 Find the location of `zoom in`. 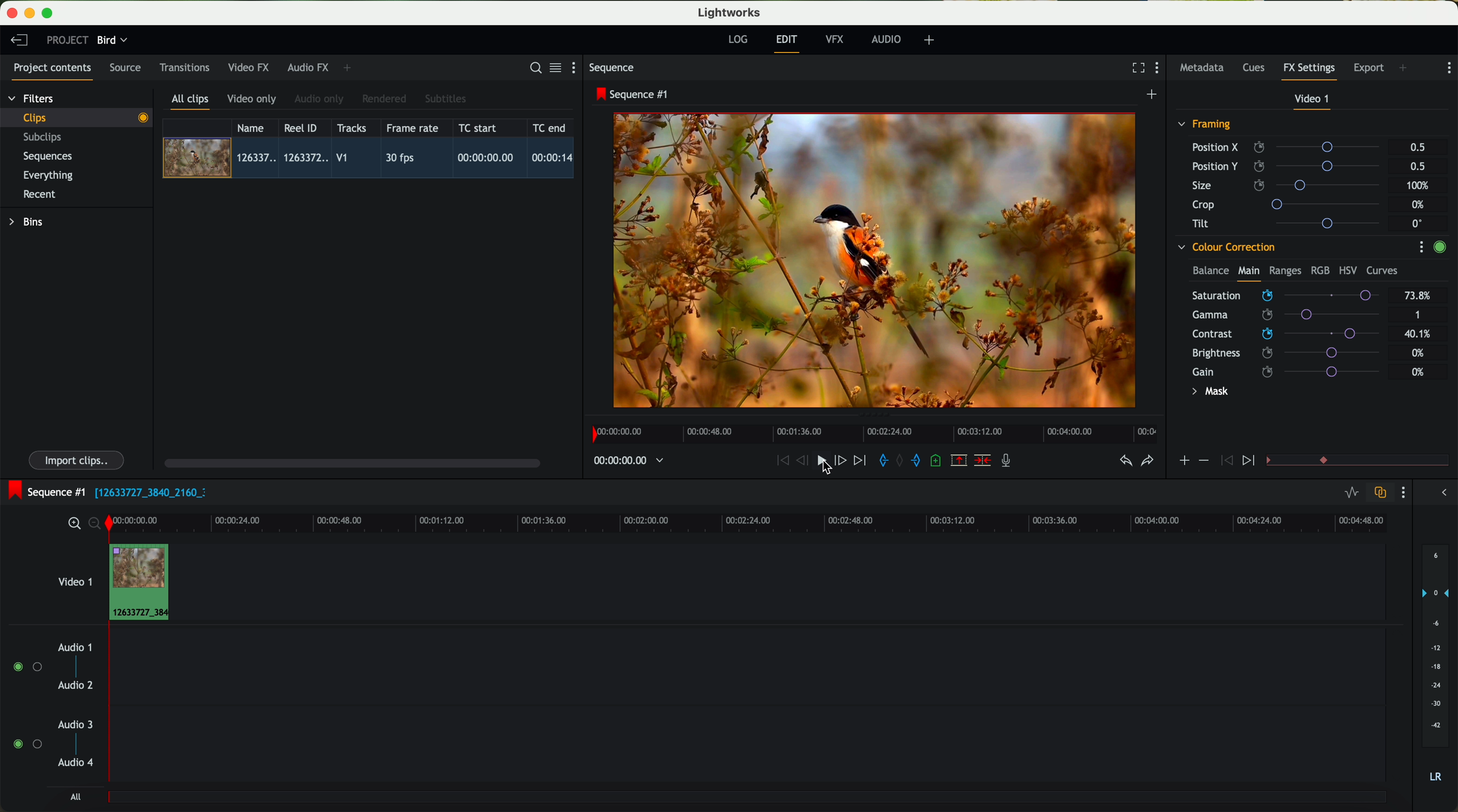

zoom in is located at coordinates (72, 524).